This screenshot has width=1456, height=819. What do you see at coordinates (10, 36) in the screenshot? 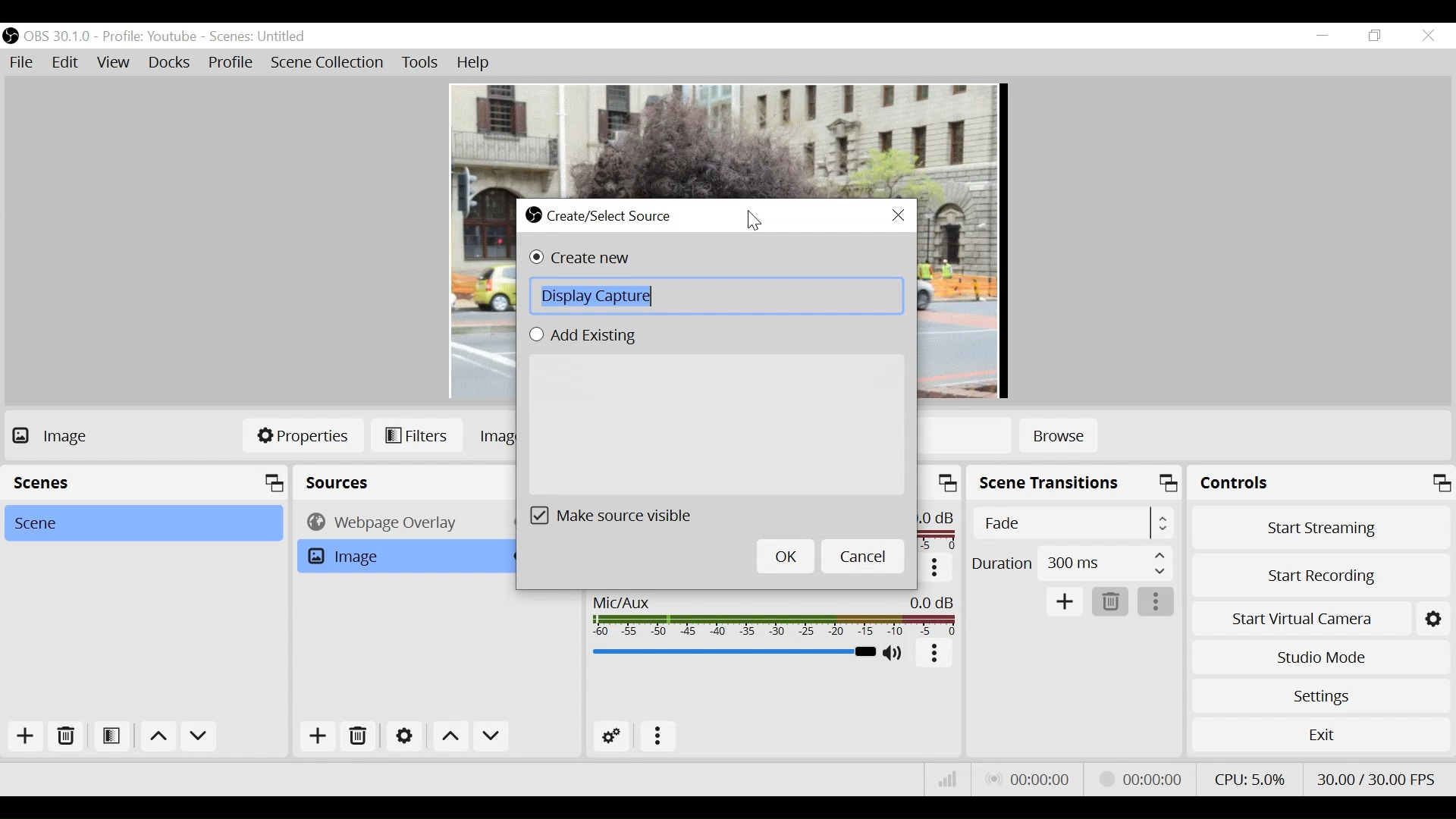
I see `OBS Studio Desktop Icon` at bounding box center [10, 36].